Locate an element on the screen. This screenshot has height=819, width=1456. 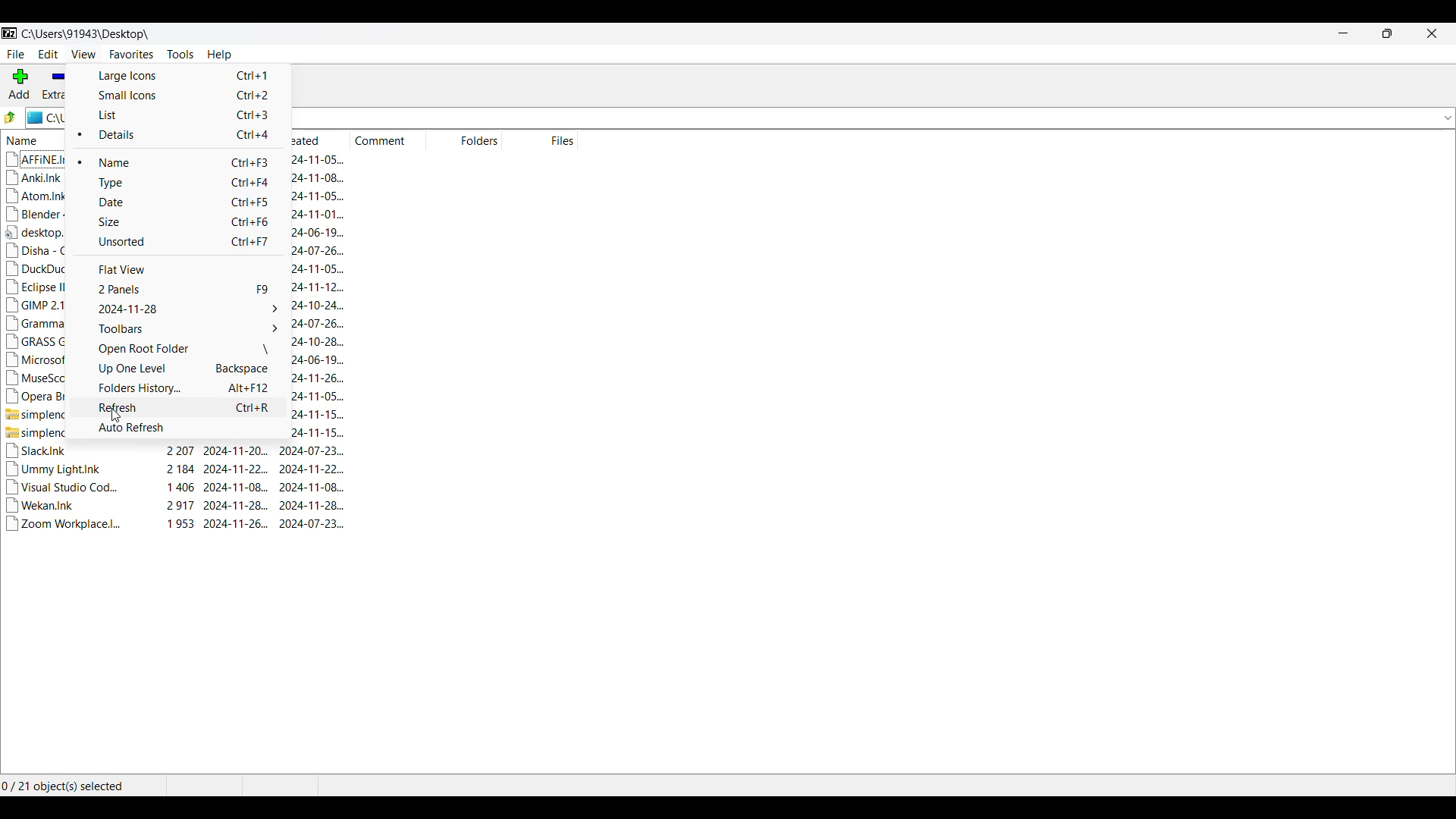
Folders is located at coordinates (466, 140).